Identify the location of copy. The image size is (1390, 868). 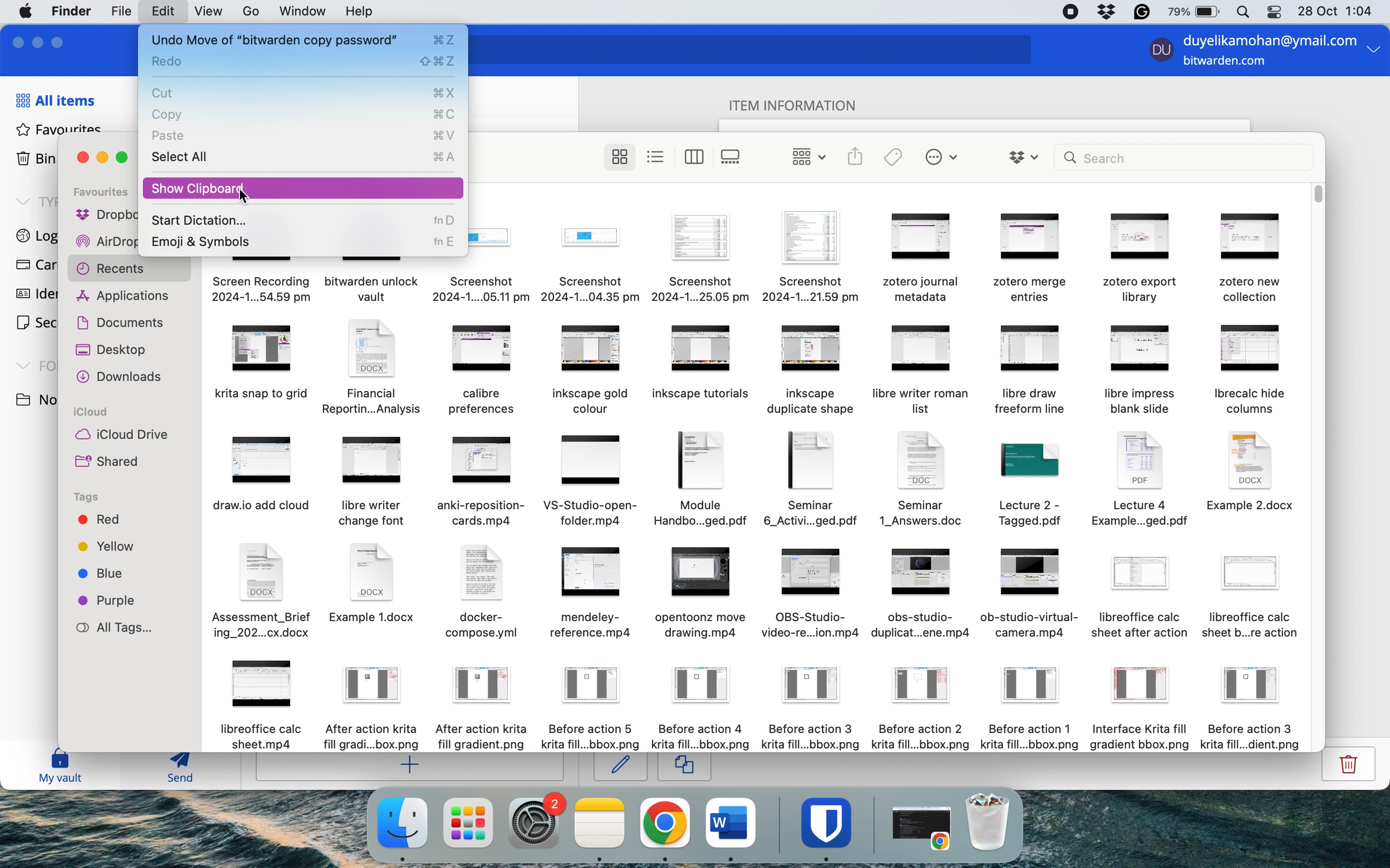
(301, 114).